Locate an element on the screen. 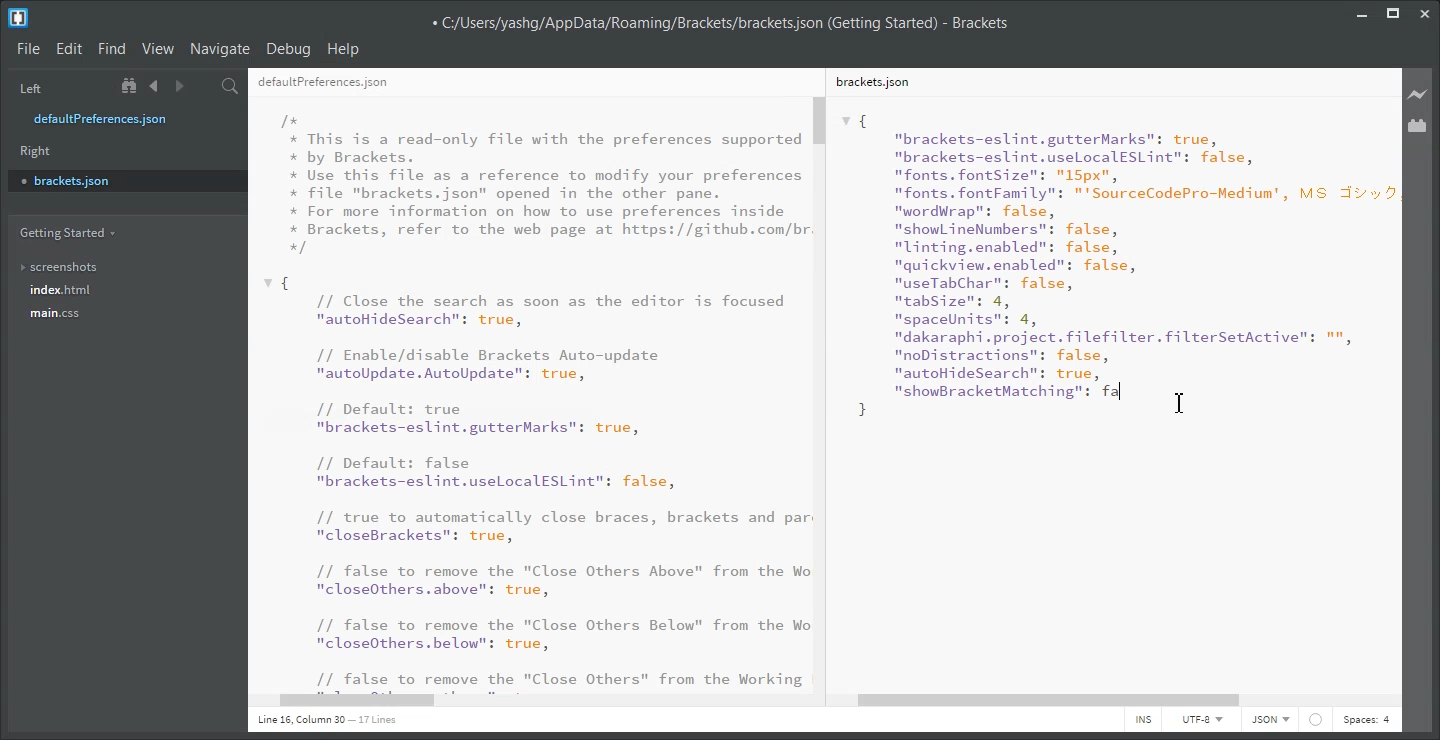 This screenshot has width=1440, height=740. Line 1, Column 1 - 17 Lines is located at coordinates (324, 721).